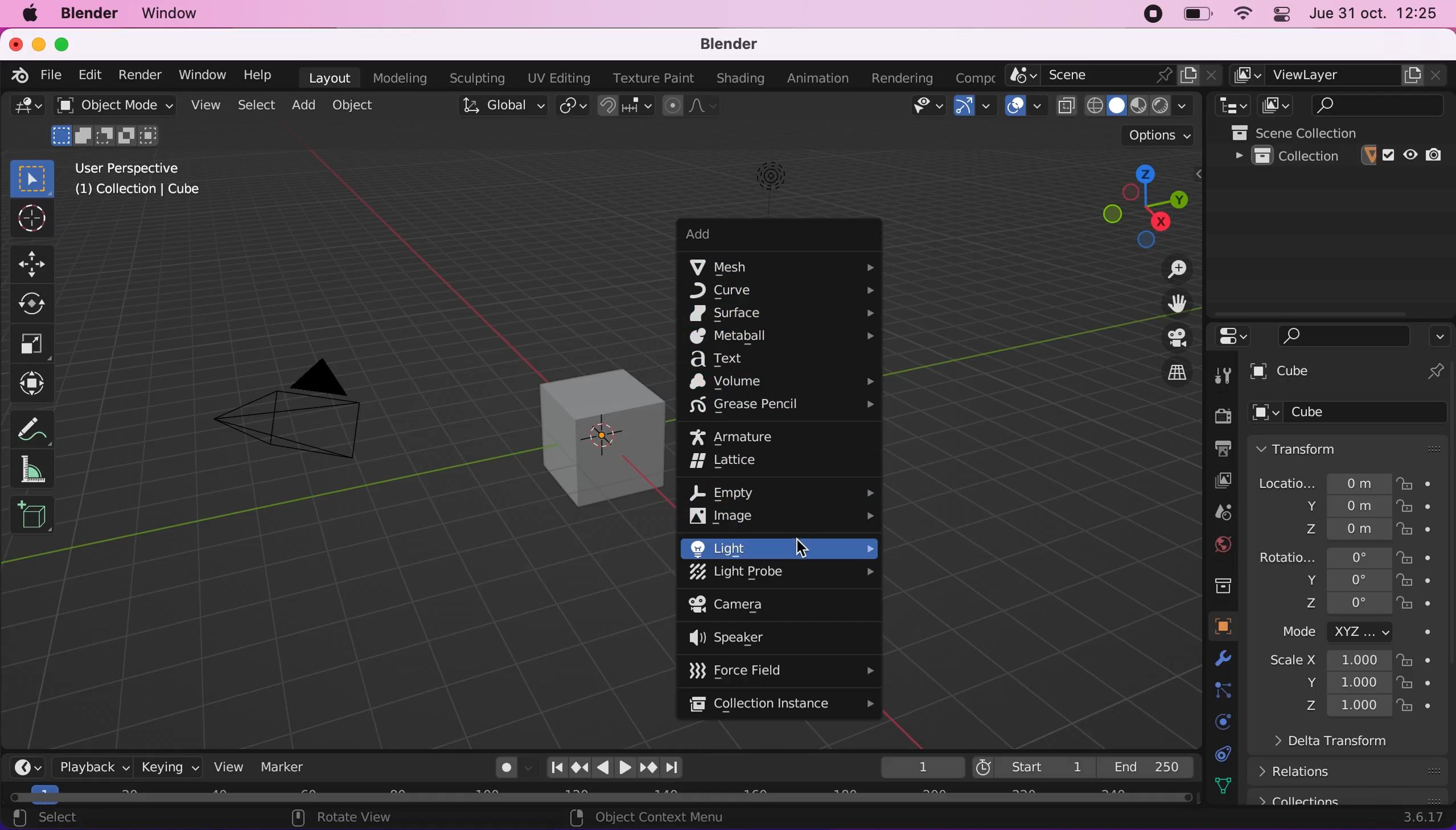  I want to click on relations, so click(1354, 771).